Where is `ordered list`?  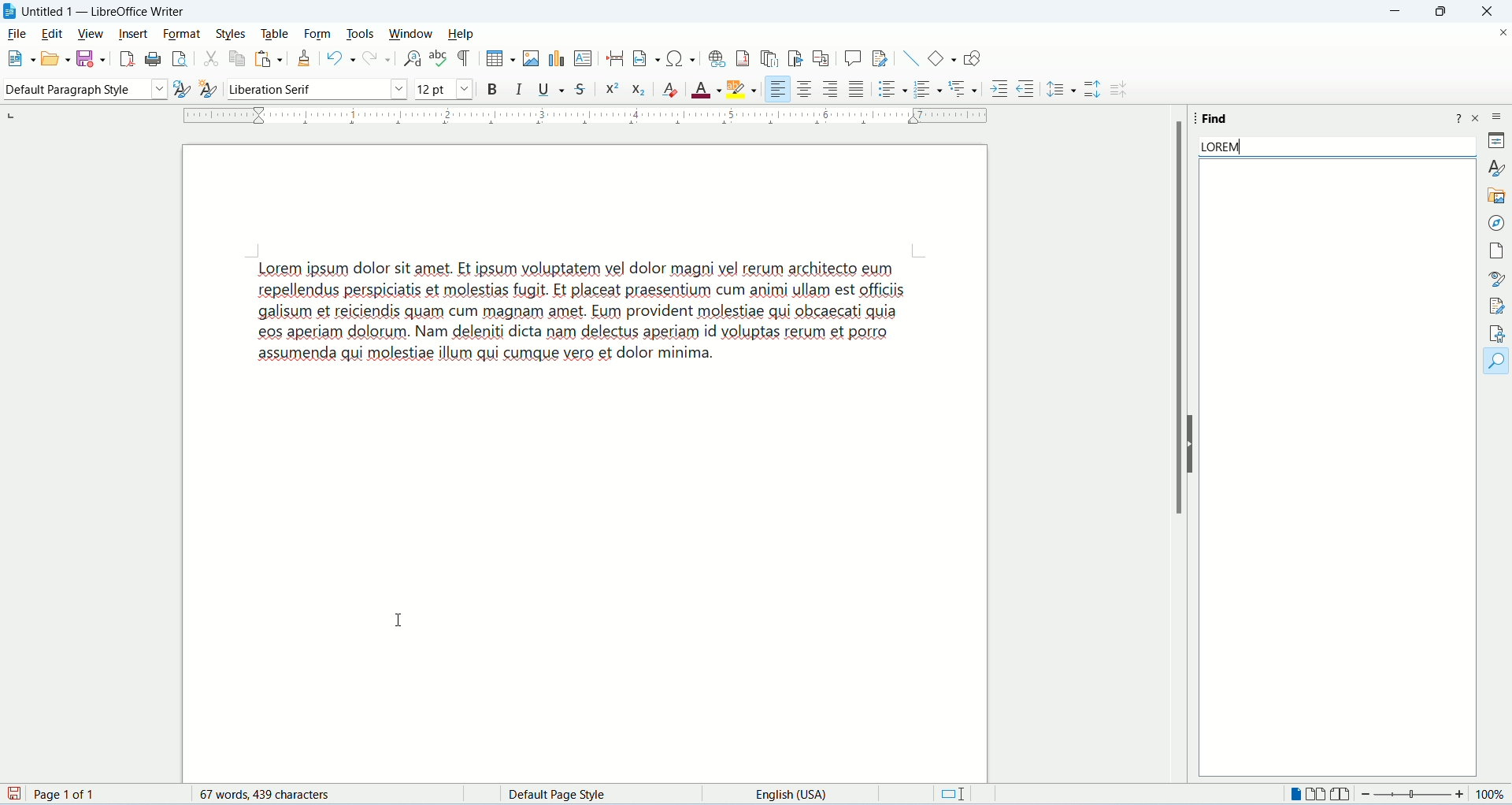 ordered list is located at coordinates (929, 90).